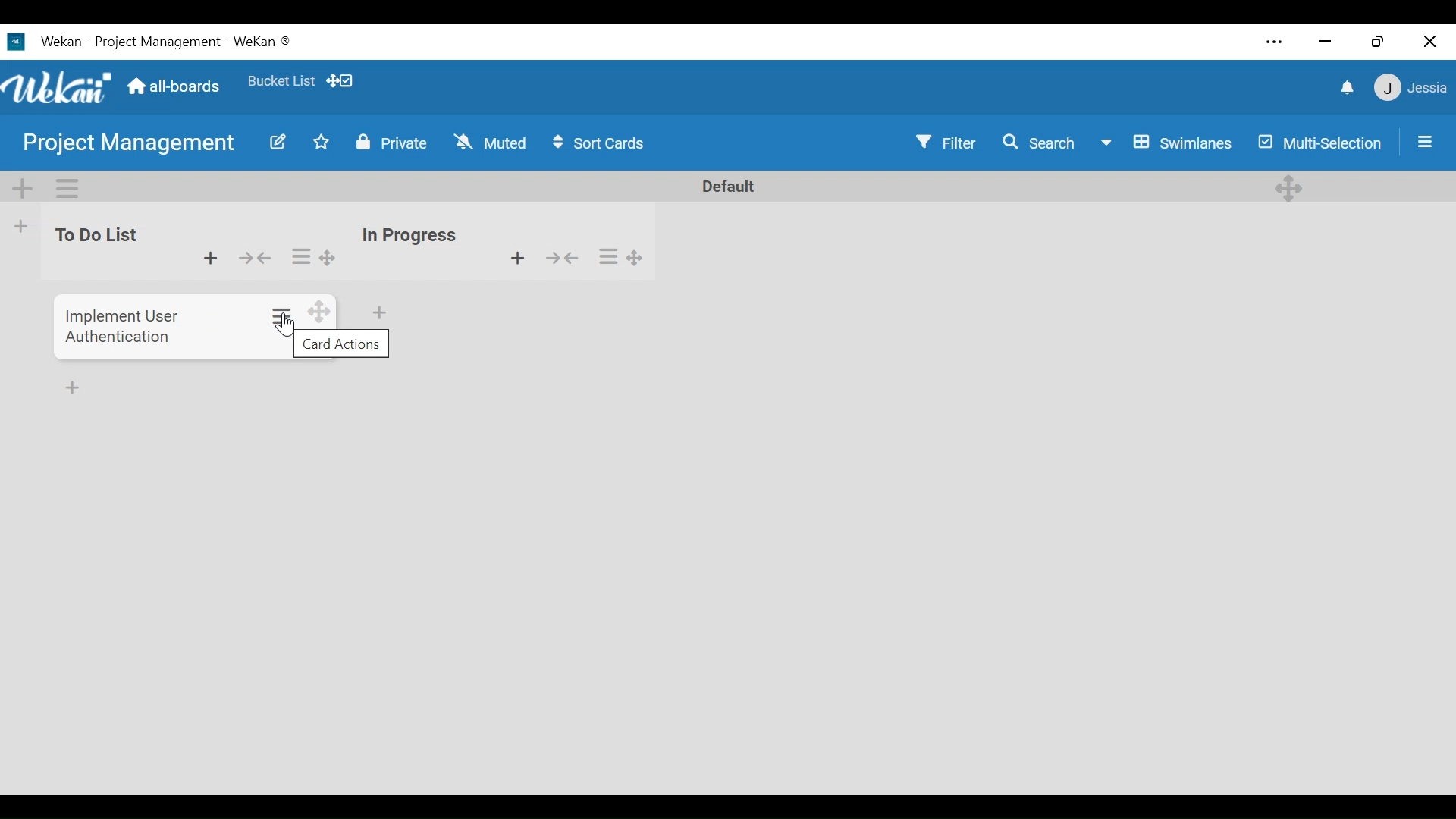 This screenshot has width=1456, height=819. Describe the element at coordinates (72, 391) in the screenshot. I see `add card` at that location.